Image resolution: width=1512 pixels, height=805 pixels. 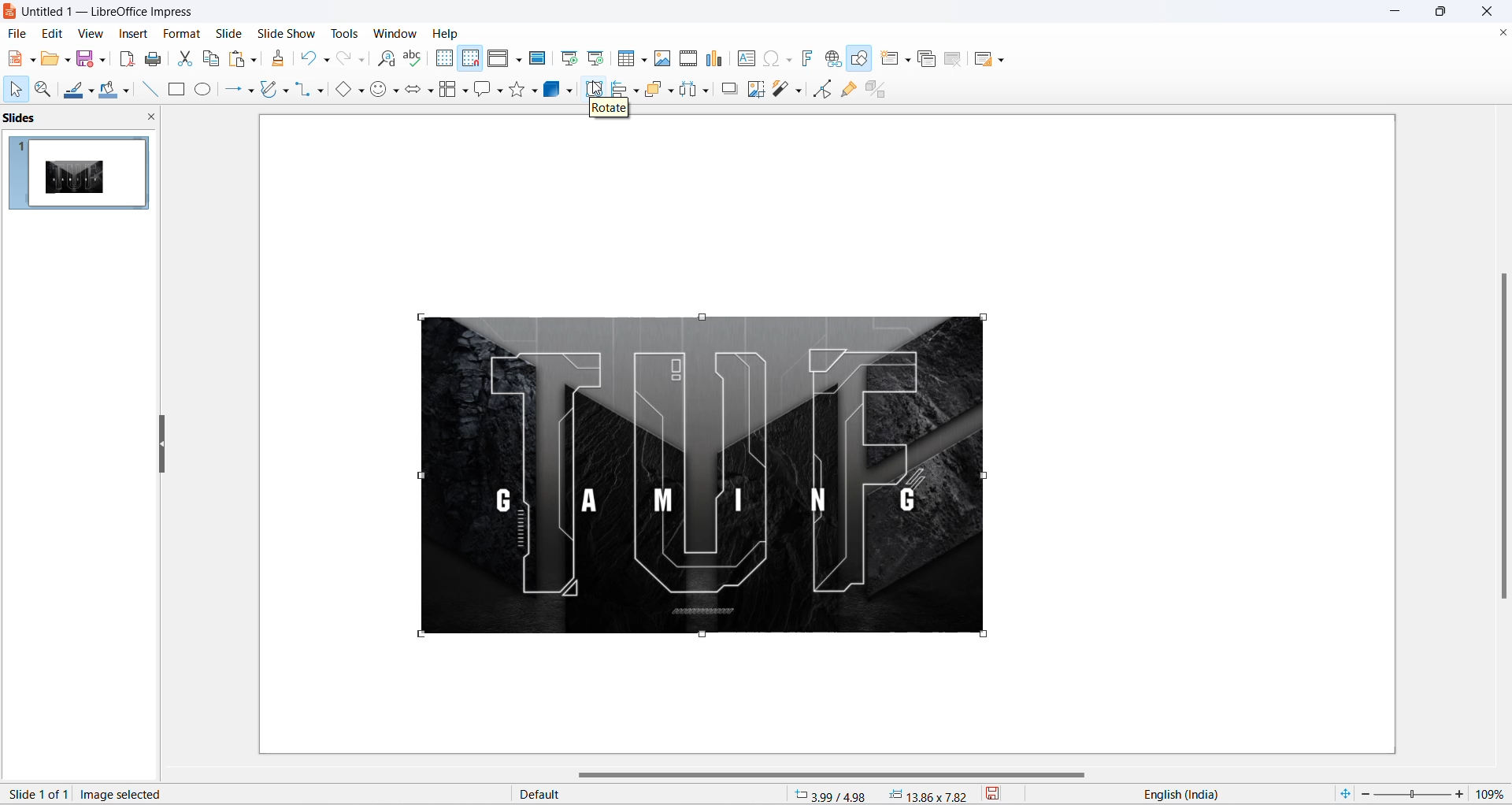 What do you see at coordinates (41, 90) in the screenshot?
I see `zoom and pan` at bounding box center [41, 90].